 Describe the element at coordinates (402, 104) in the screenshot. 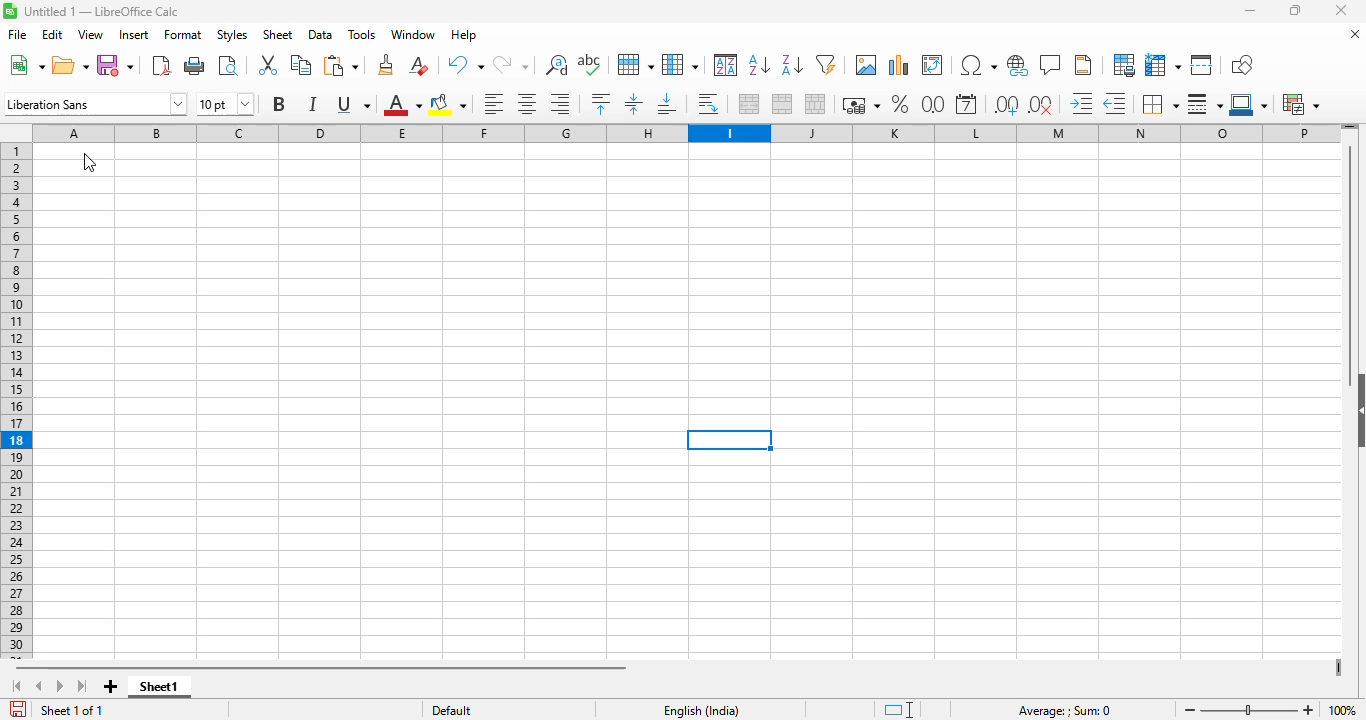

I see `font color` at that location.